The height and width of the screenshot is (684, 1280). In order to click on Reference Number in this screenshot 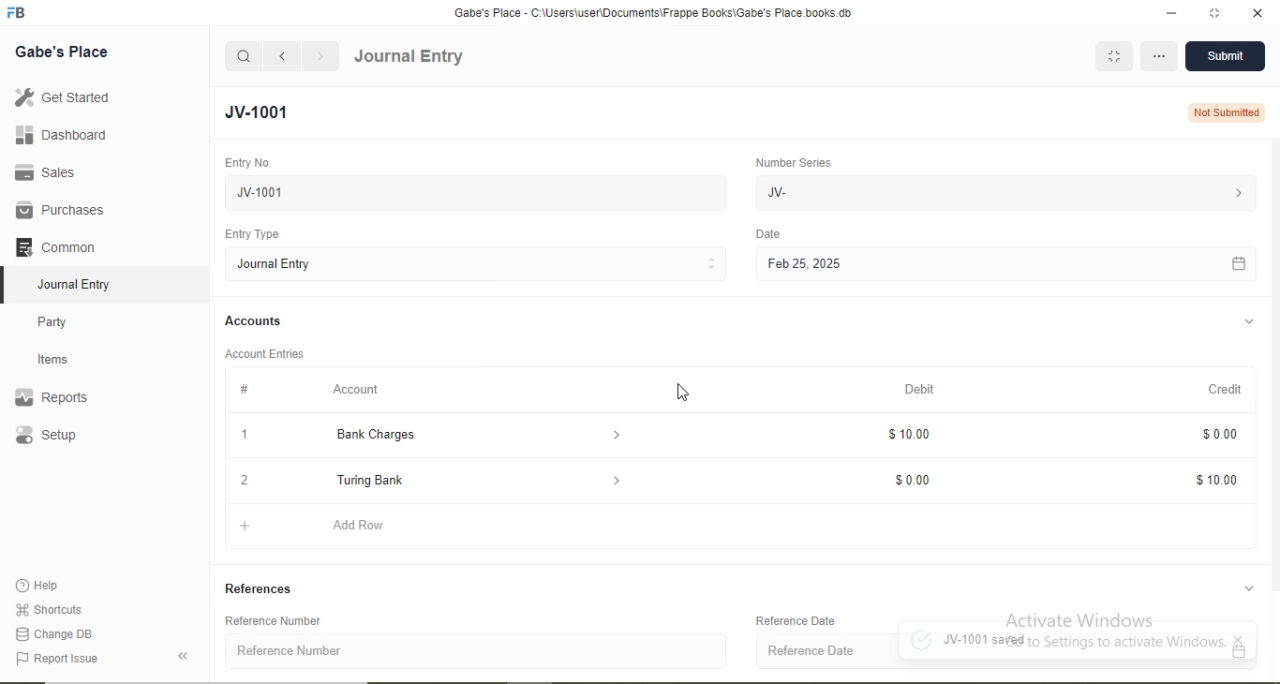, I will do `click(281, 621)`.